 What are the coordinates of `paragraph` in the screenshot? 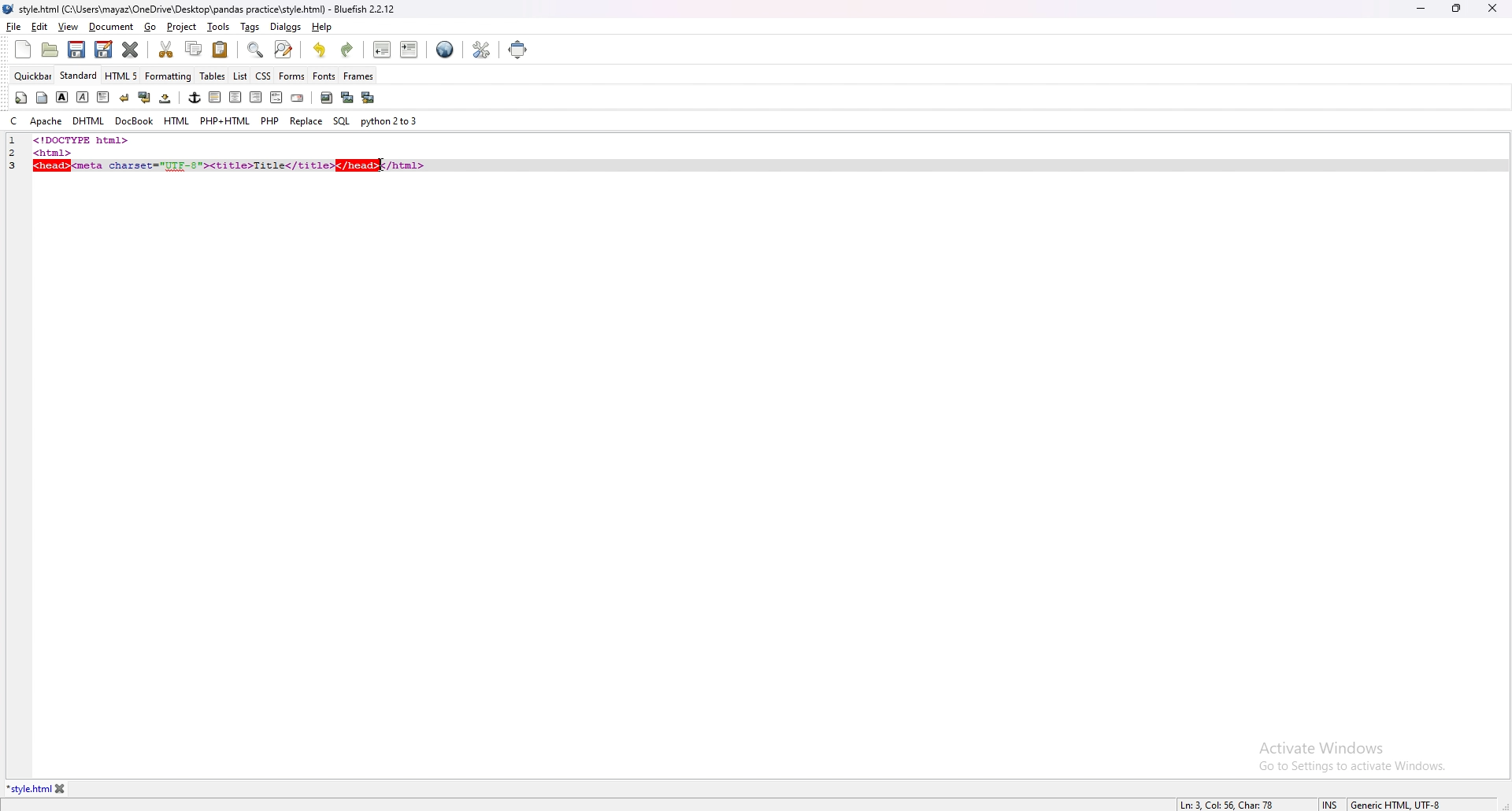 It's located at (102, 96).